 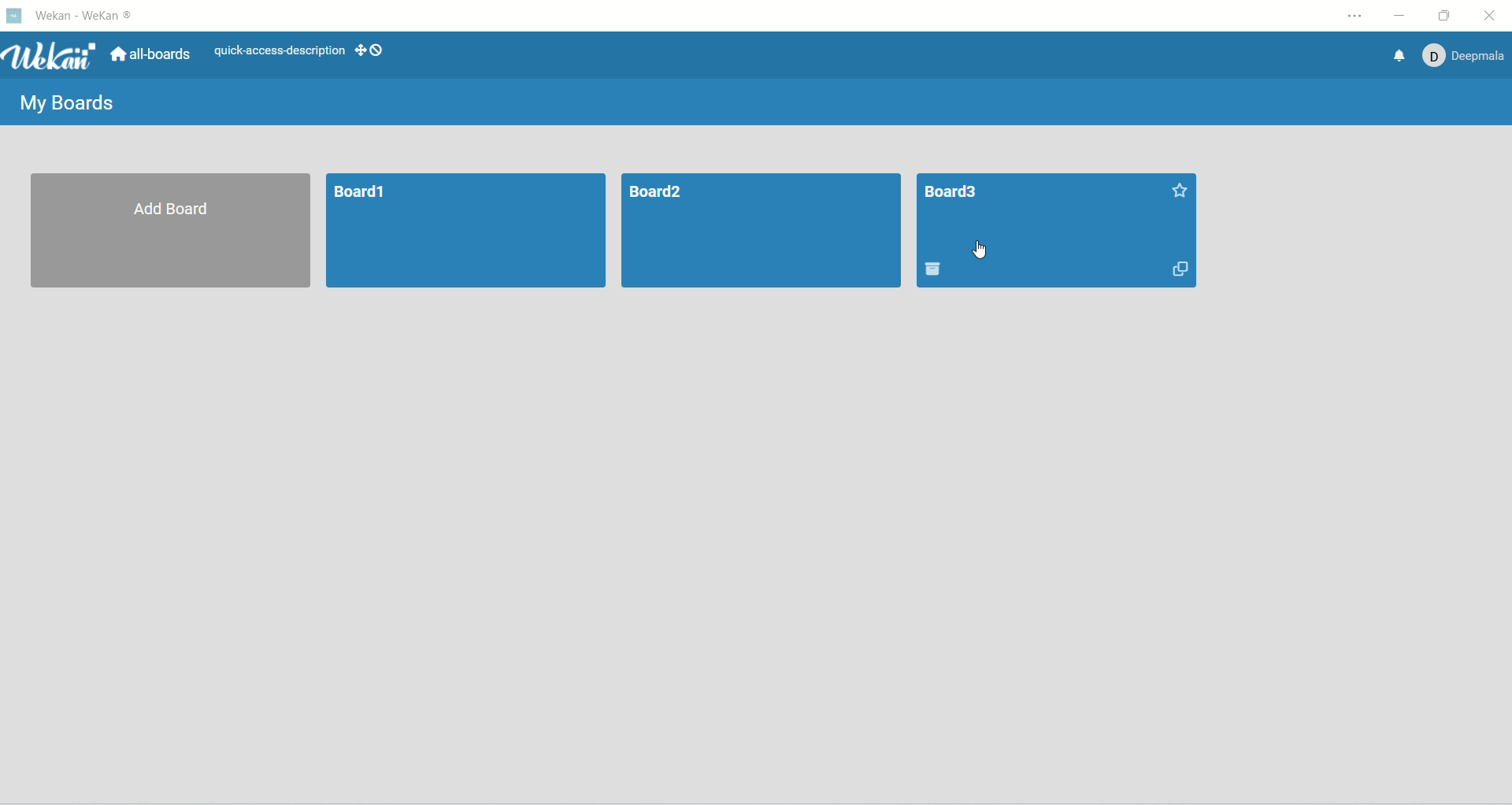 I want to click on board title, so click(x=947, y=191).